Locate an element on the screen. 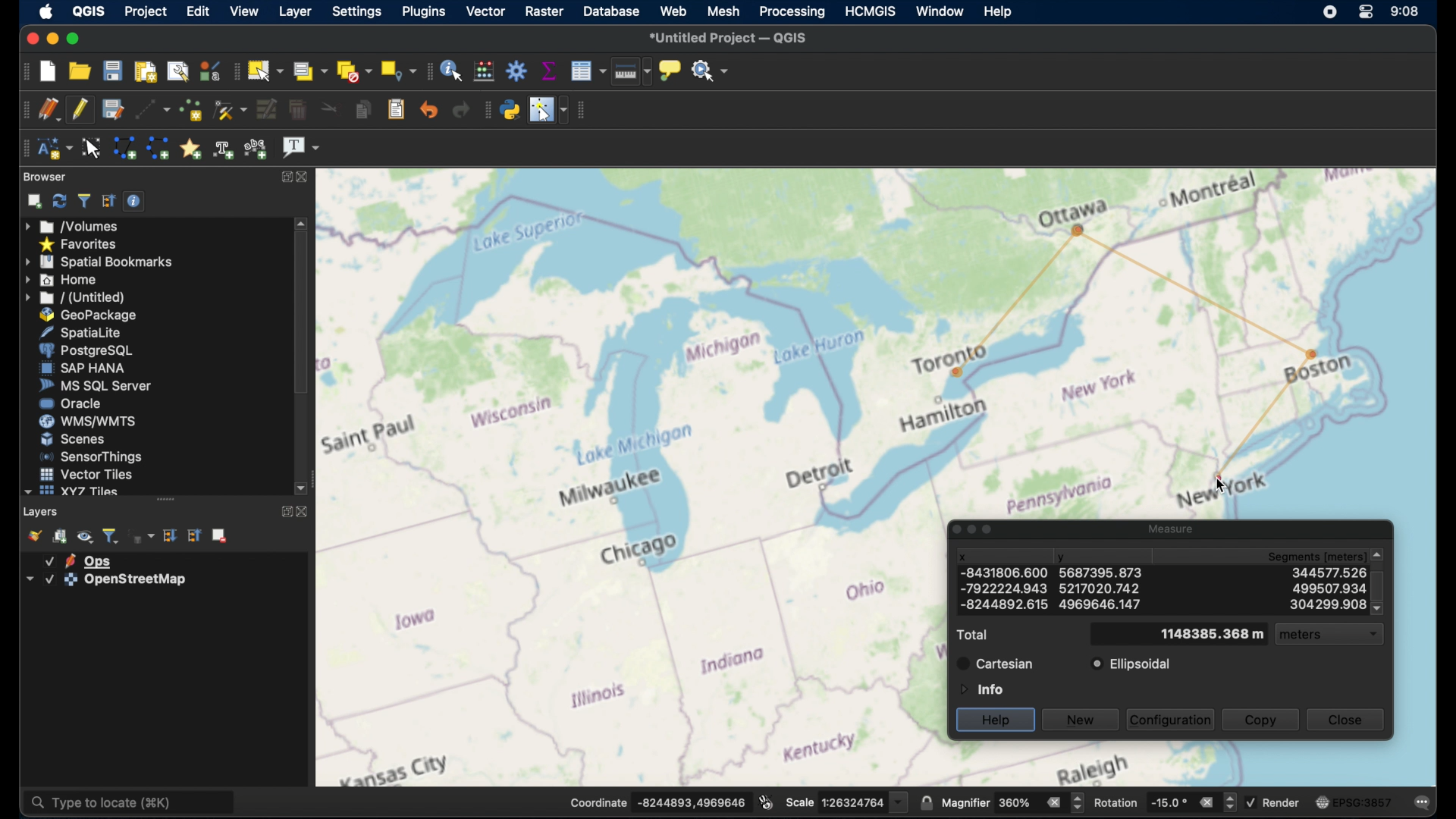 The image size is (1456, 819). Y is located at coordinates (1100, 573).